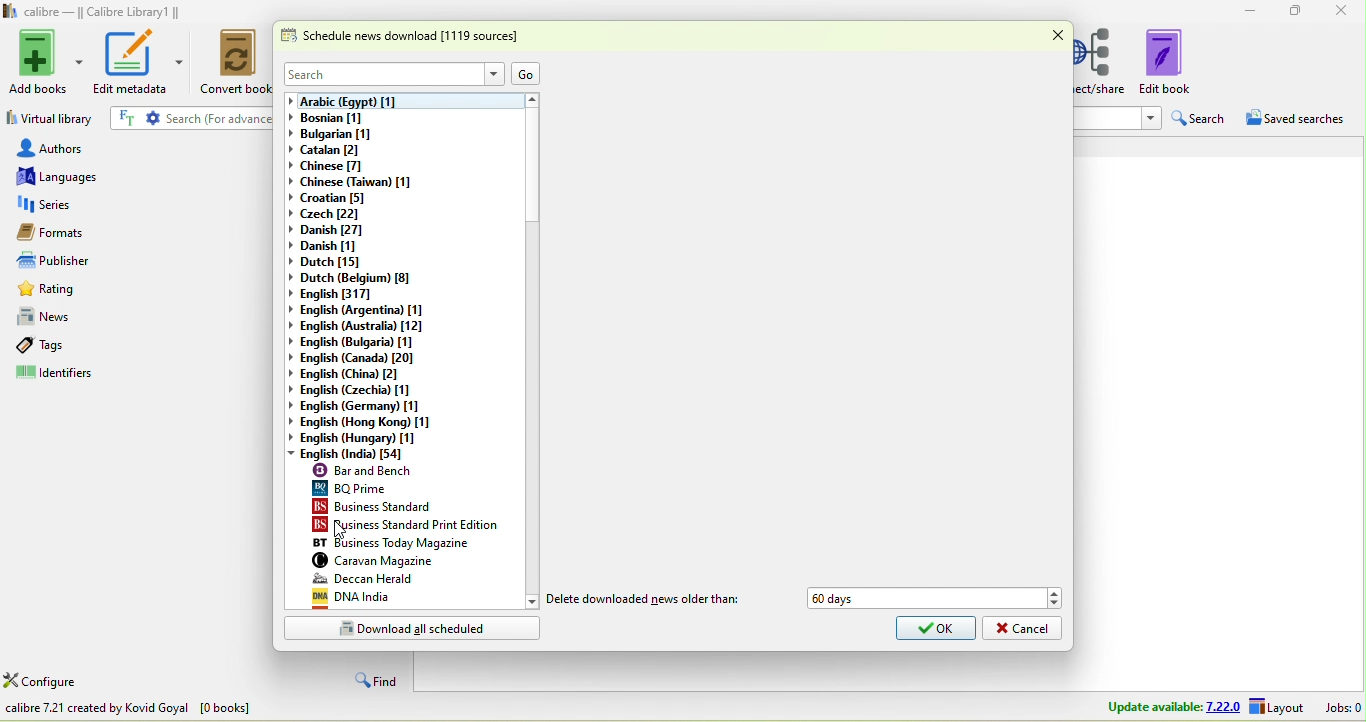 This screenshot has width=1366, height=722. Describe the element at coordinates (346, 529) in the screenshot. I see `cursor movement` at that location.